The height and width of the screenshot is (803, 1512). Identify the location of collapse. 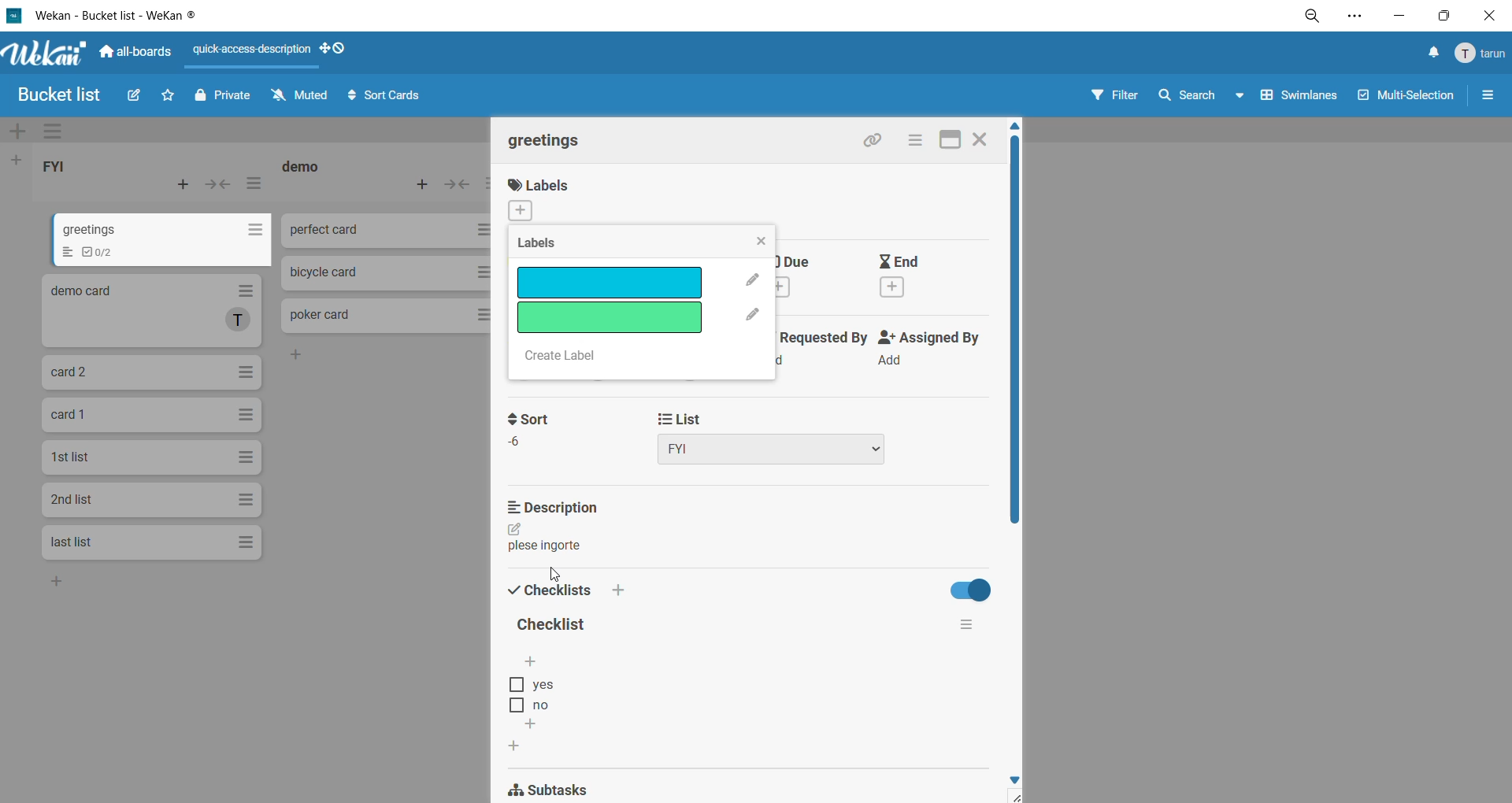
(220, 184).